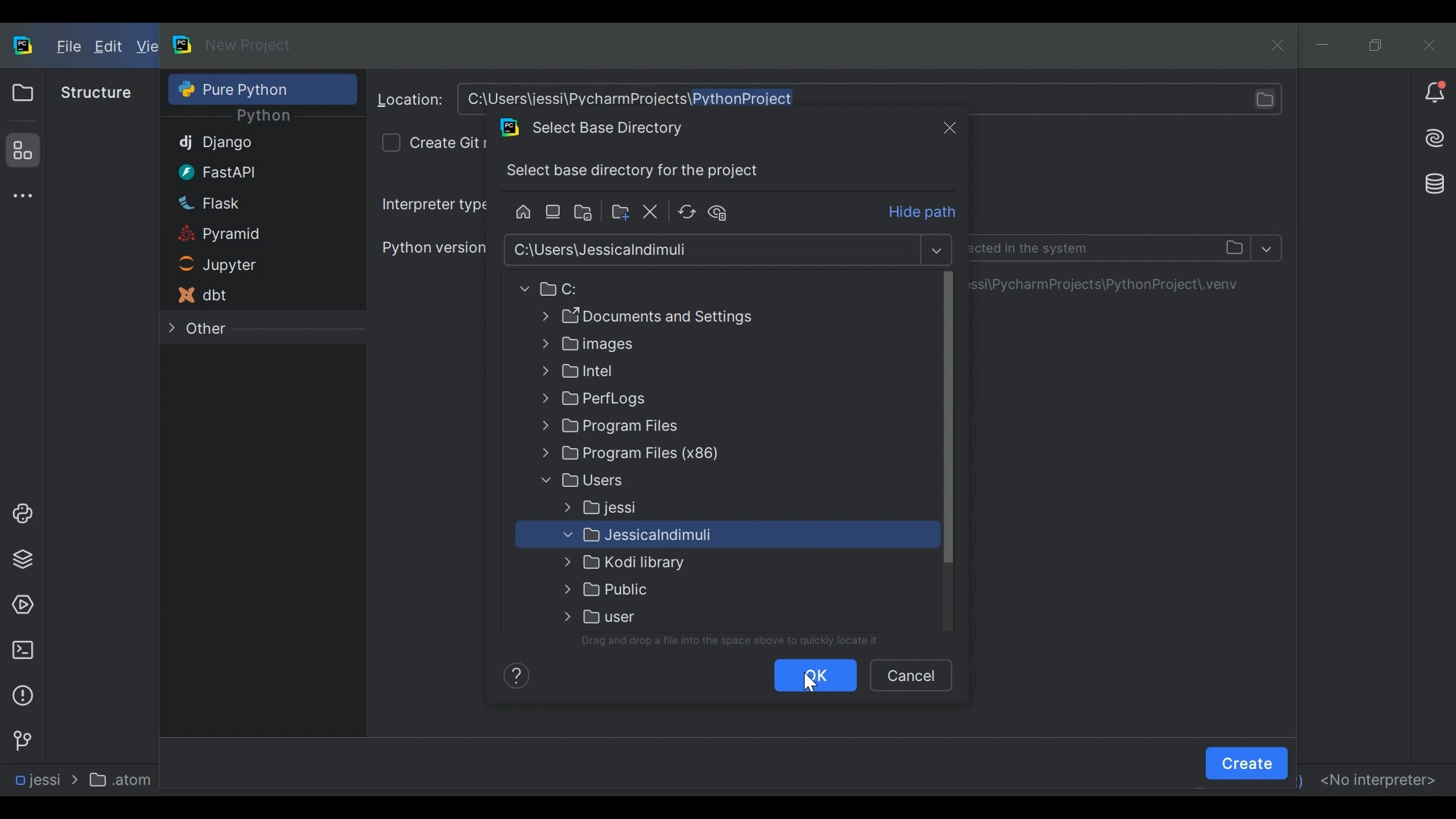  What do you see at coordinates (585, 214) in the screenshot?
I see `Project Directory` at bounding box center [585, 214].